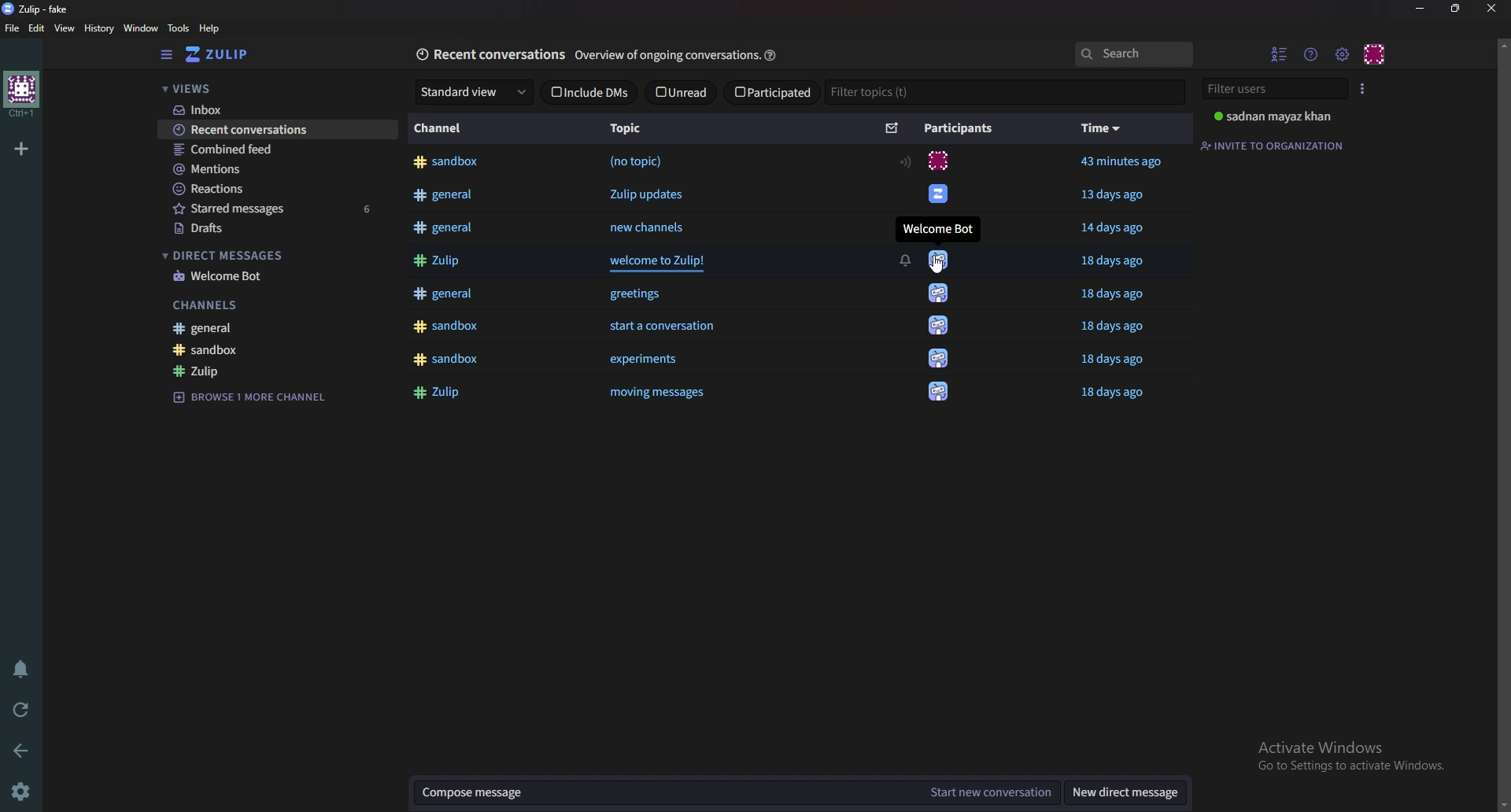  I want to click on Browse channel, so click(255, 397).